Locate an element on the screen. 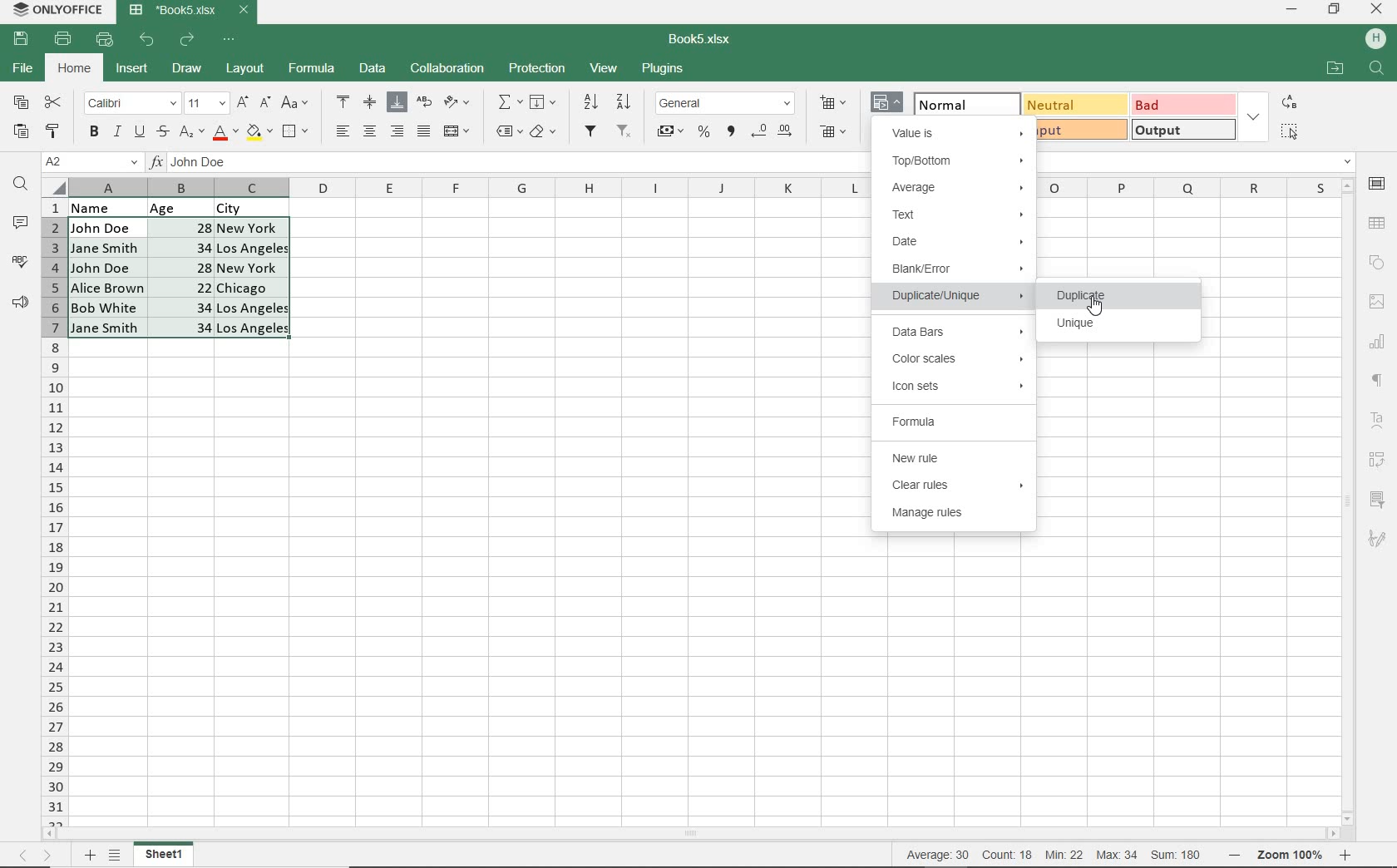 The width and height of the screenshot is (1397, 868). FONT SIZE is located at coordinates (204, 103).